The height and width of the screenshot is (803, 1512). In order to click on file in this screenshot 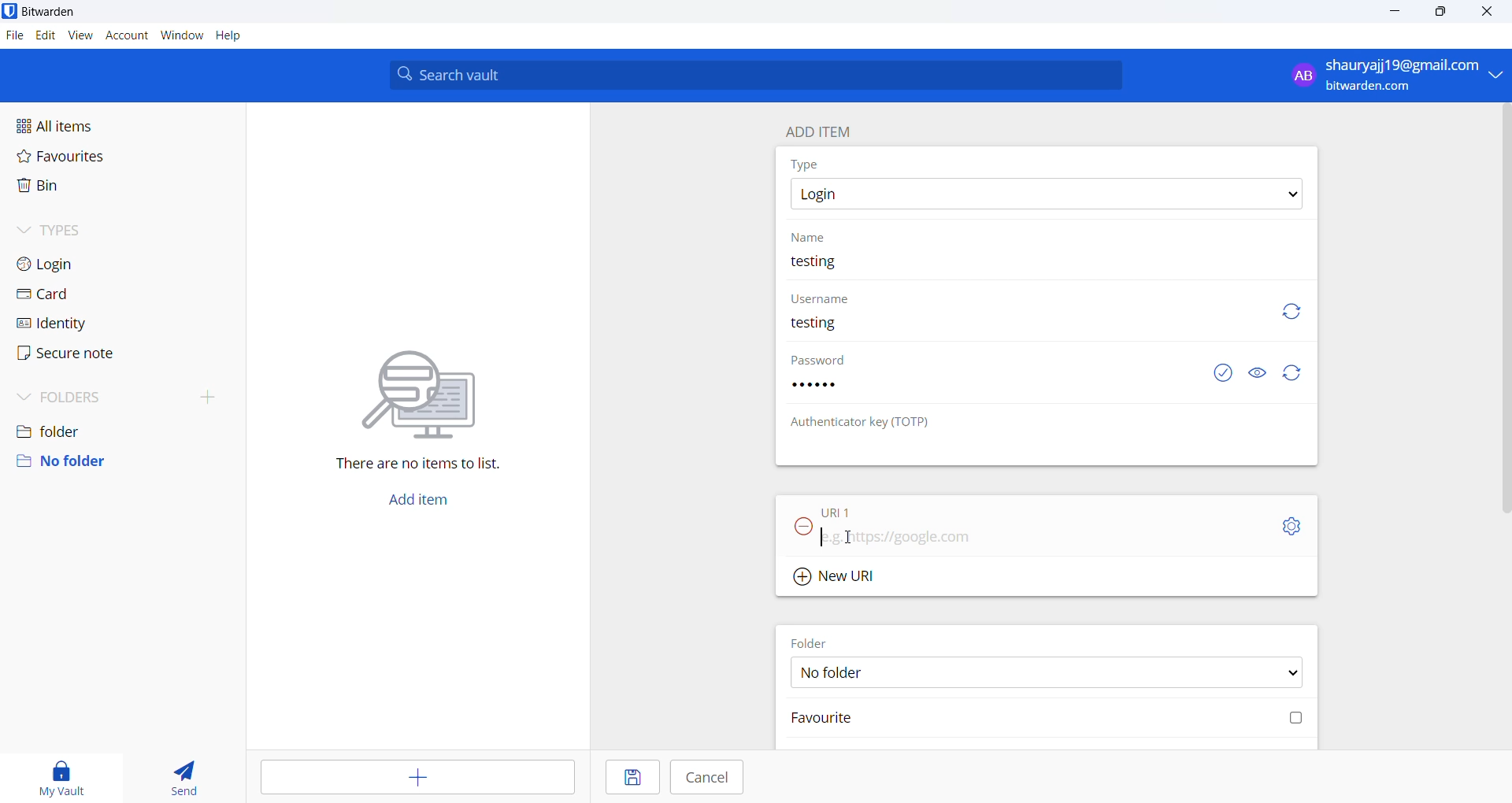, I will do `click(13, 37)`.